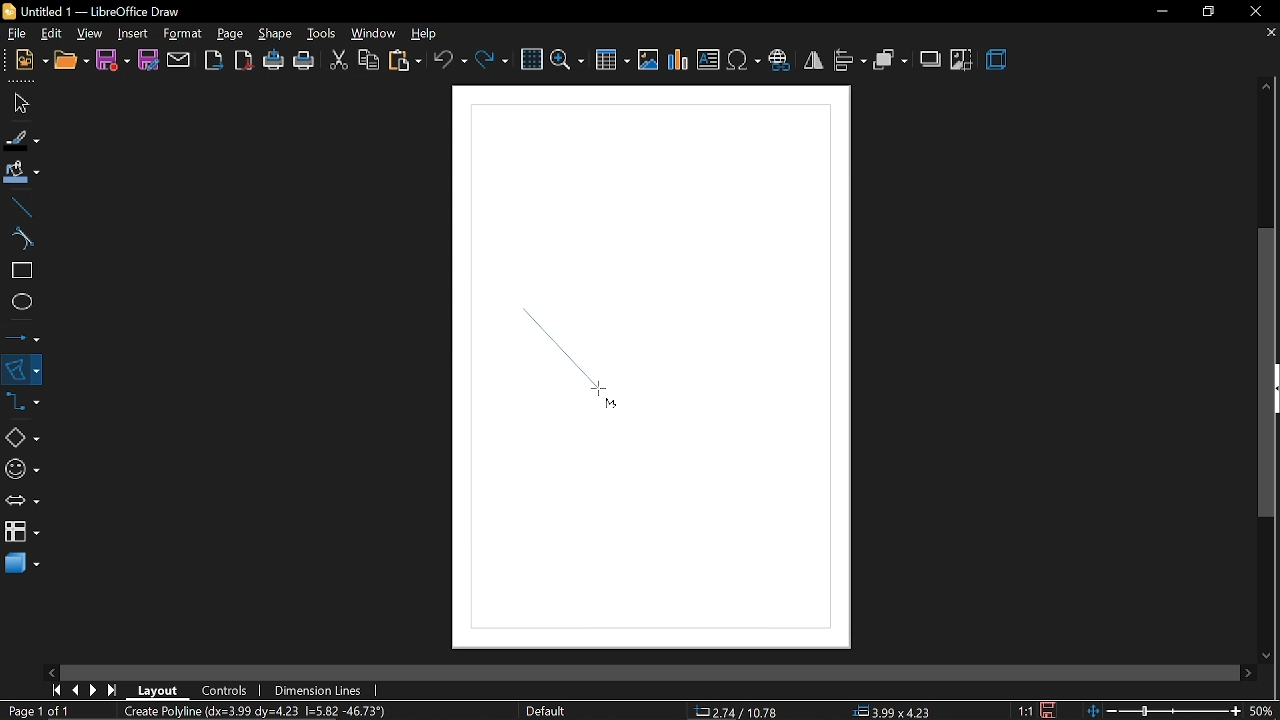 This screenshot has height=720, width=1280. What do you see at coordinates (132, 33) in the screenshot?
I see `insert` at bounding box center [132, 33].